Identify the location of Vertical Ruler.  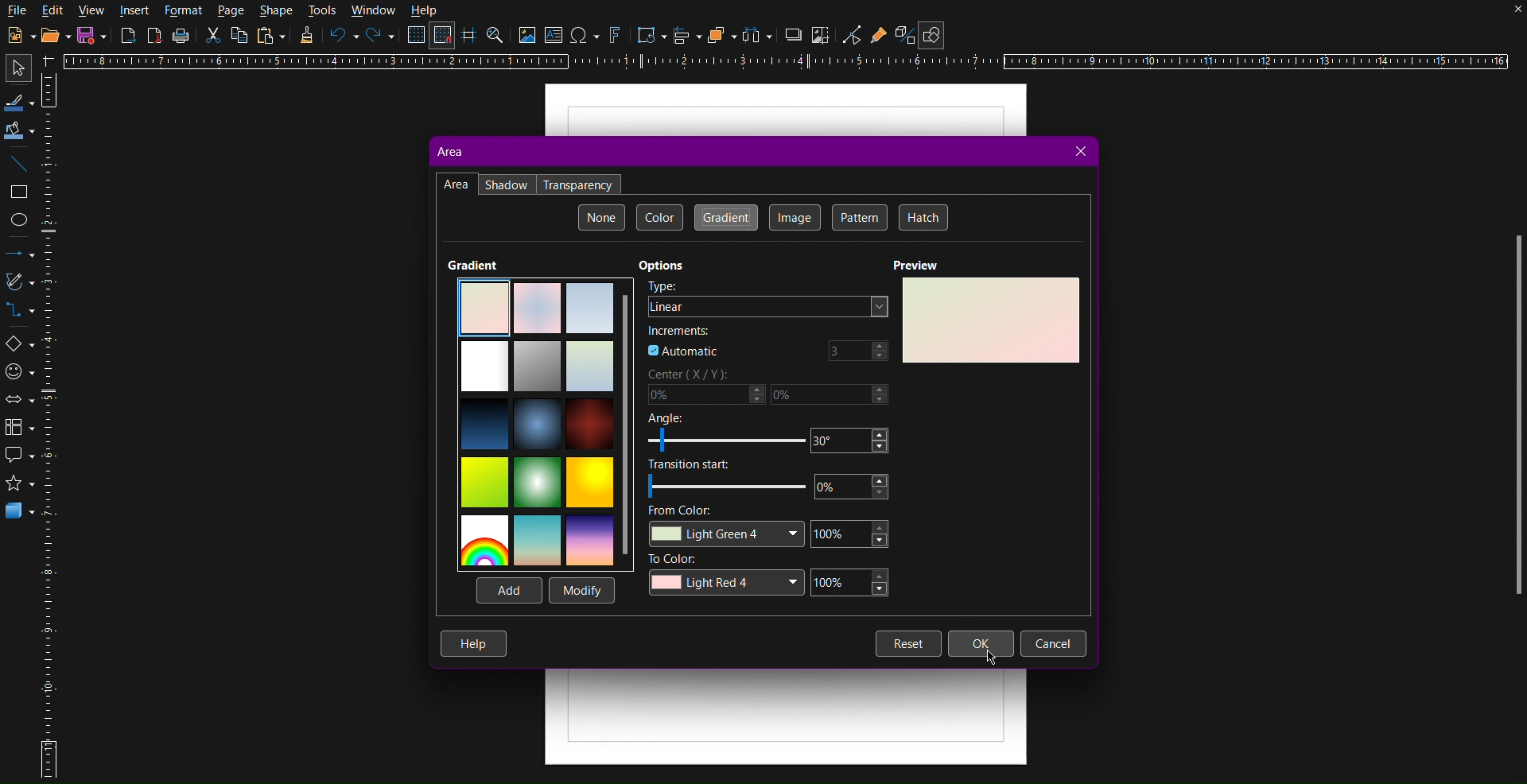
(52, 424).